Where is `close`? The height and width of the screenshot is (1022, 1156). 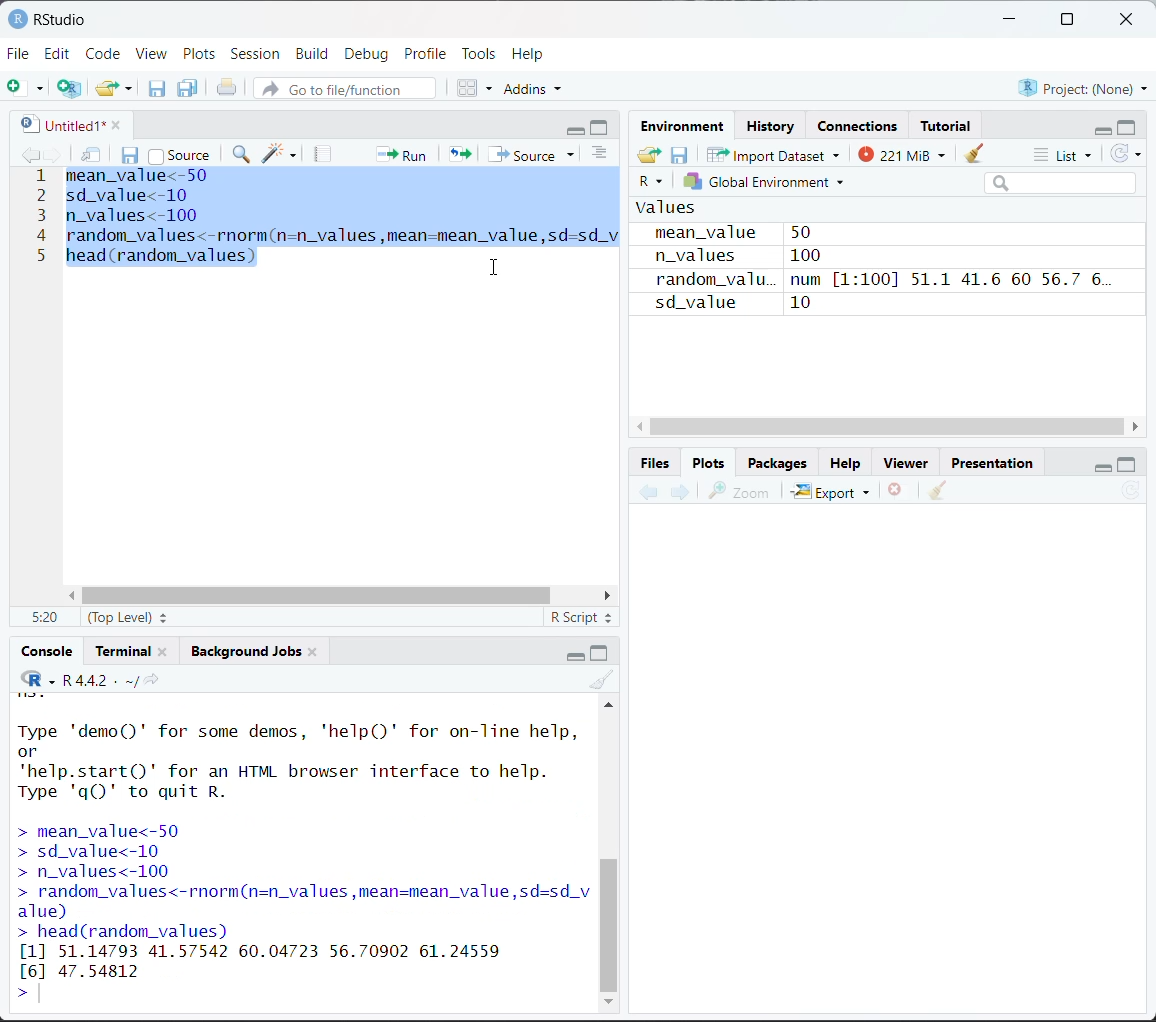 close is located at coordinates (313, 650).